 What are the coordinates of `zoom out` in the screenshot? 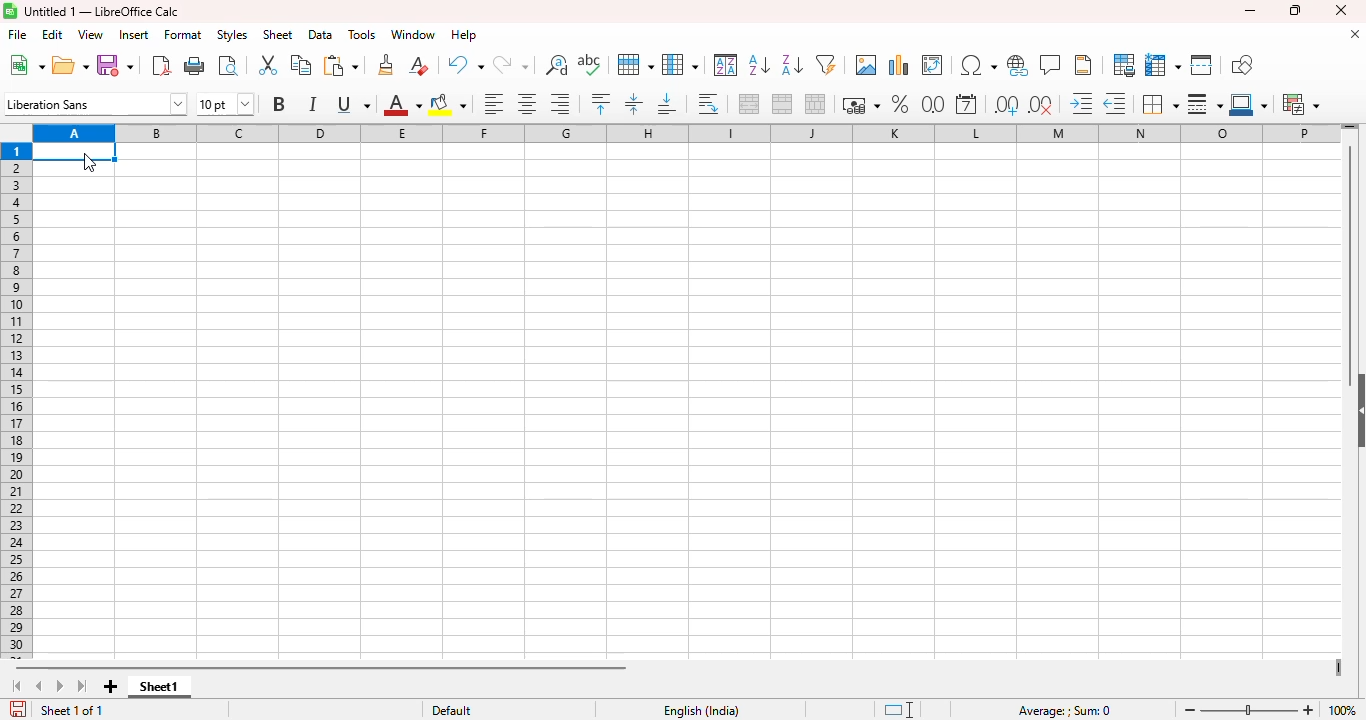 It's located at (1190, 709).